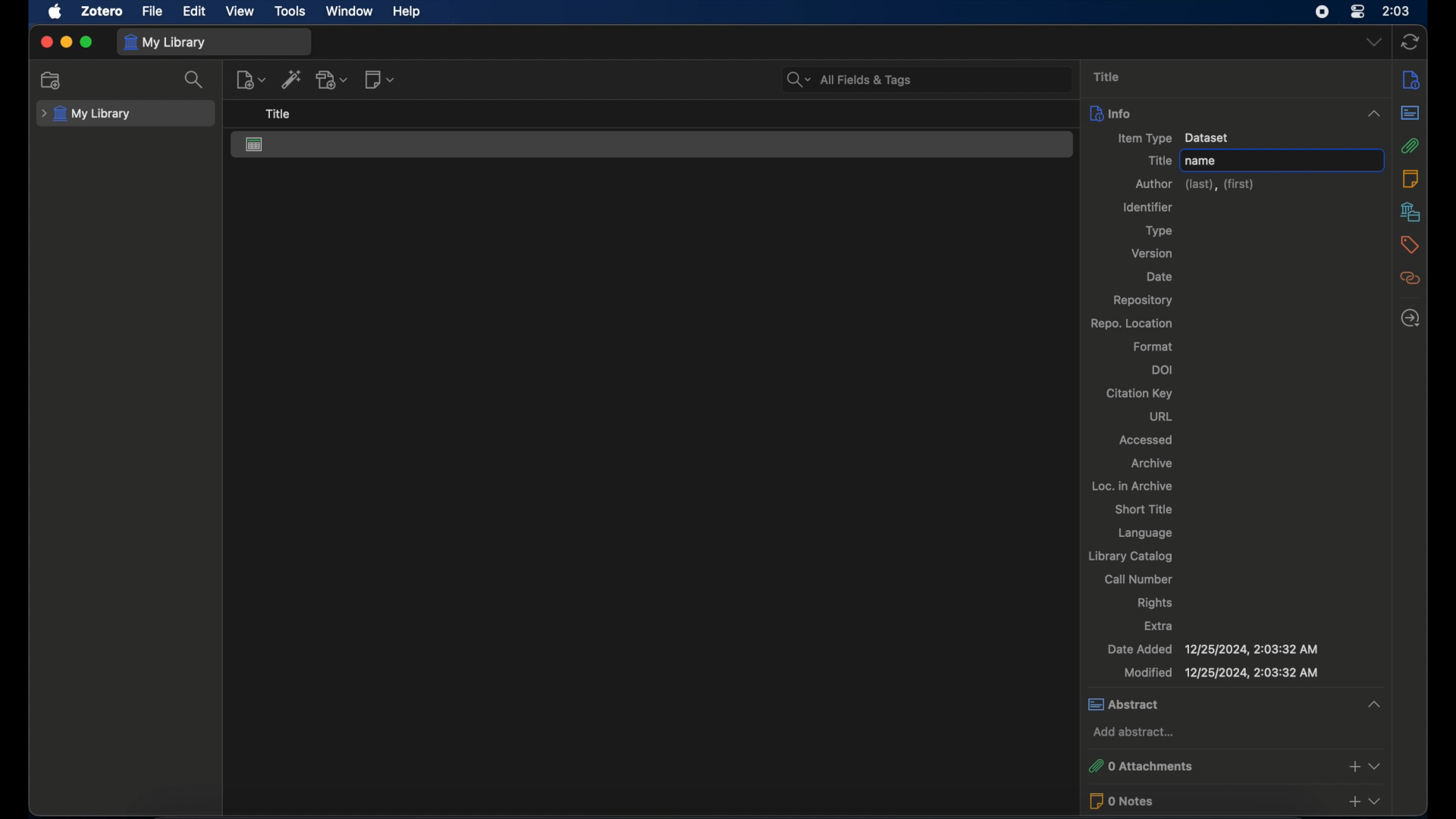  I want to click on identifier, so click(1147, 208).